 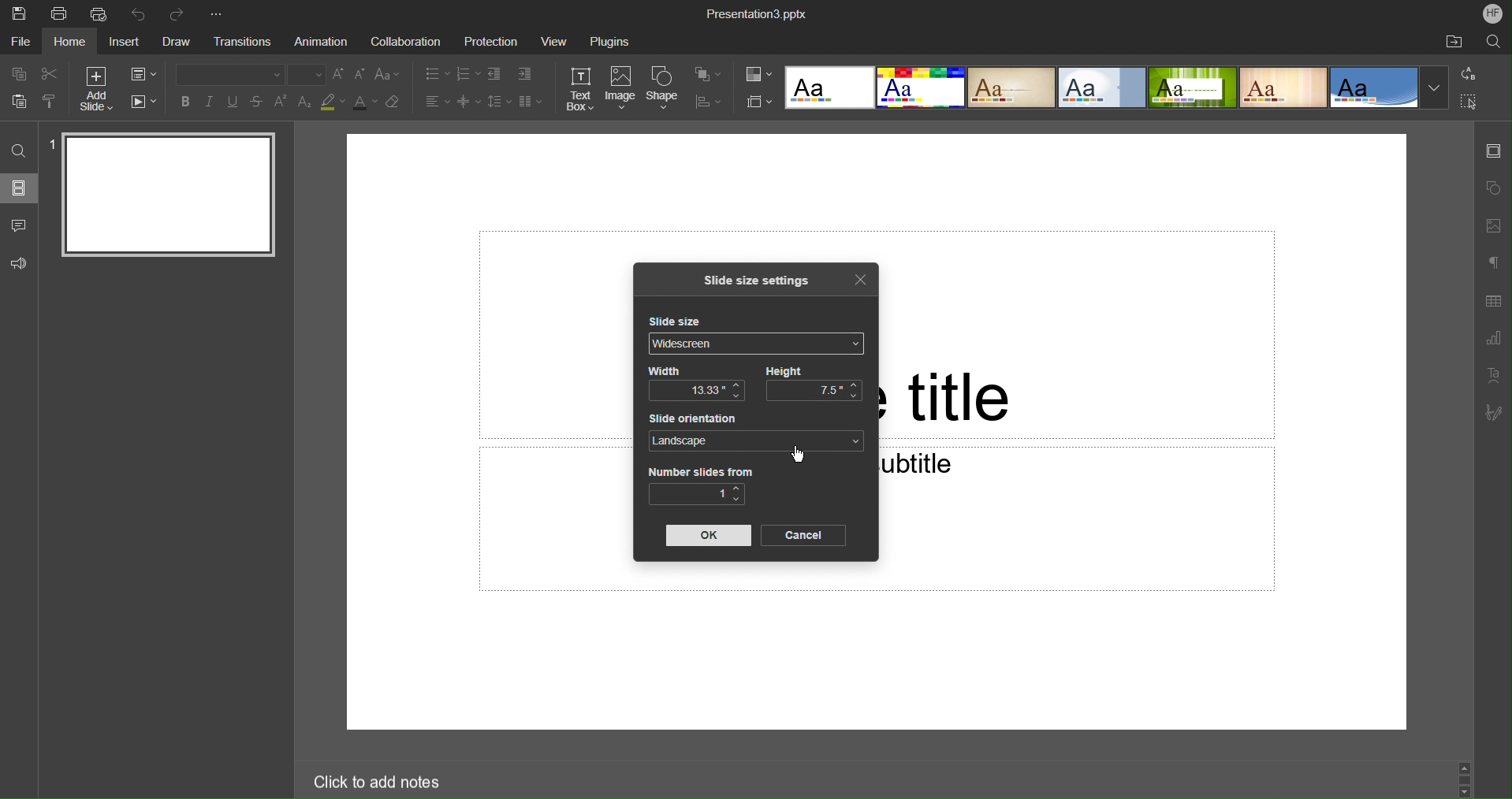 What do you see at coordinates (181, 11) in the screenshot?
I see `Redo` at bounding box center [181, 11].